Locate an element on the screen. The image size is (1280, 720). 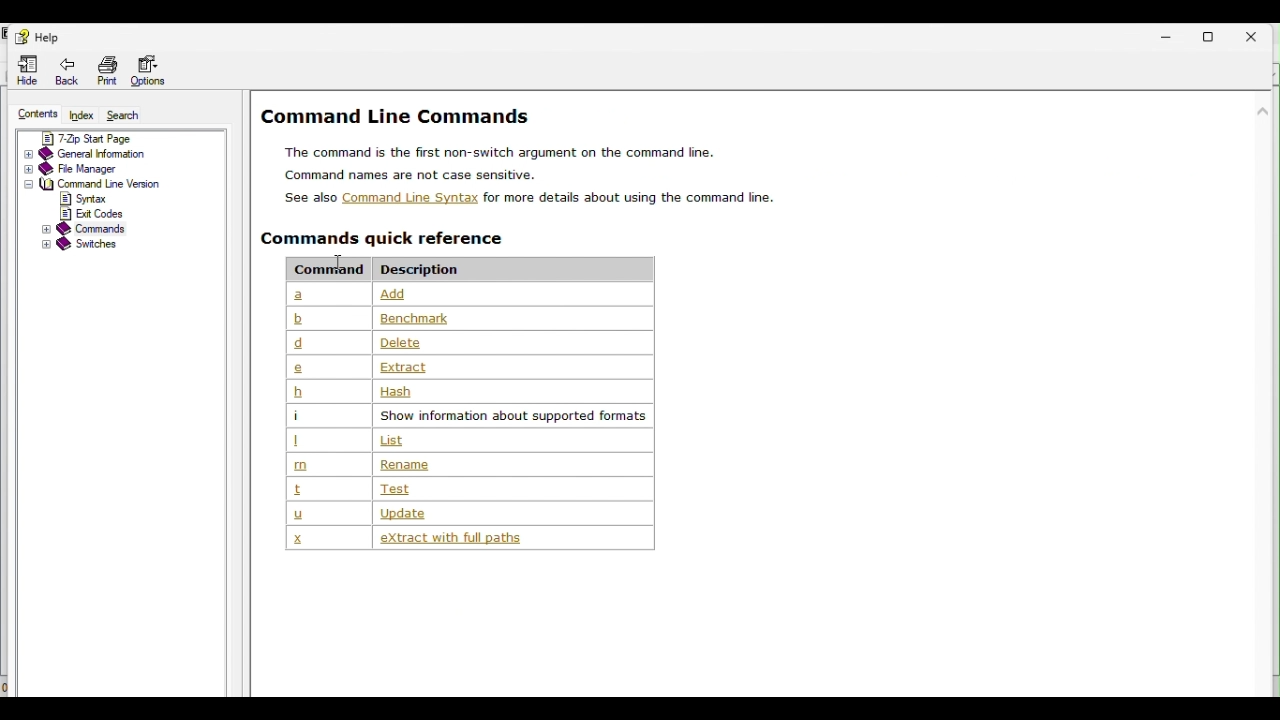
description is located at coordinates (485, 539).